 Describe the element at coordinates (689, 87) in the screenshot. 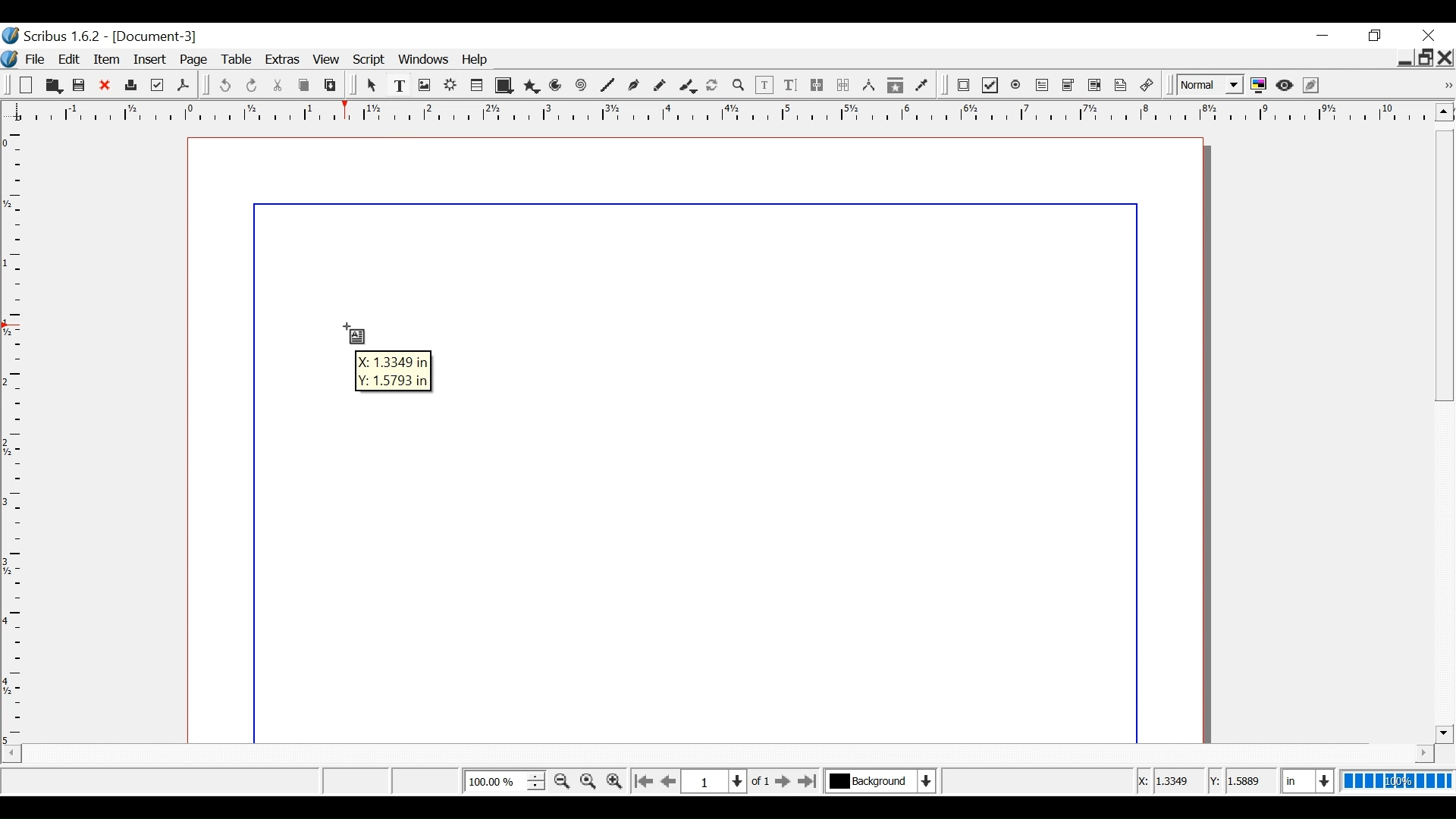

I see `Caligraphic line` at that location.